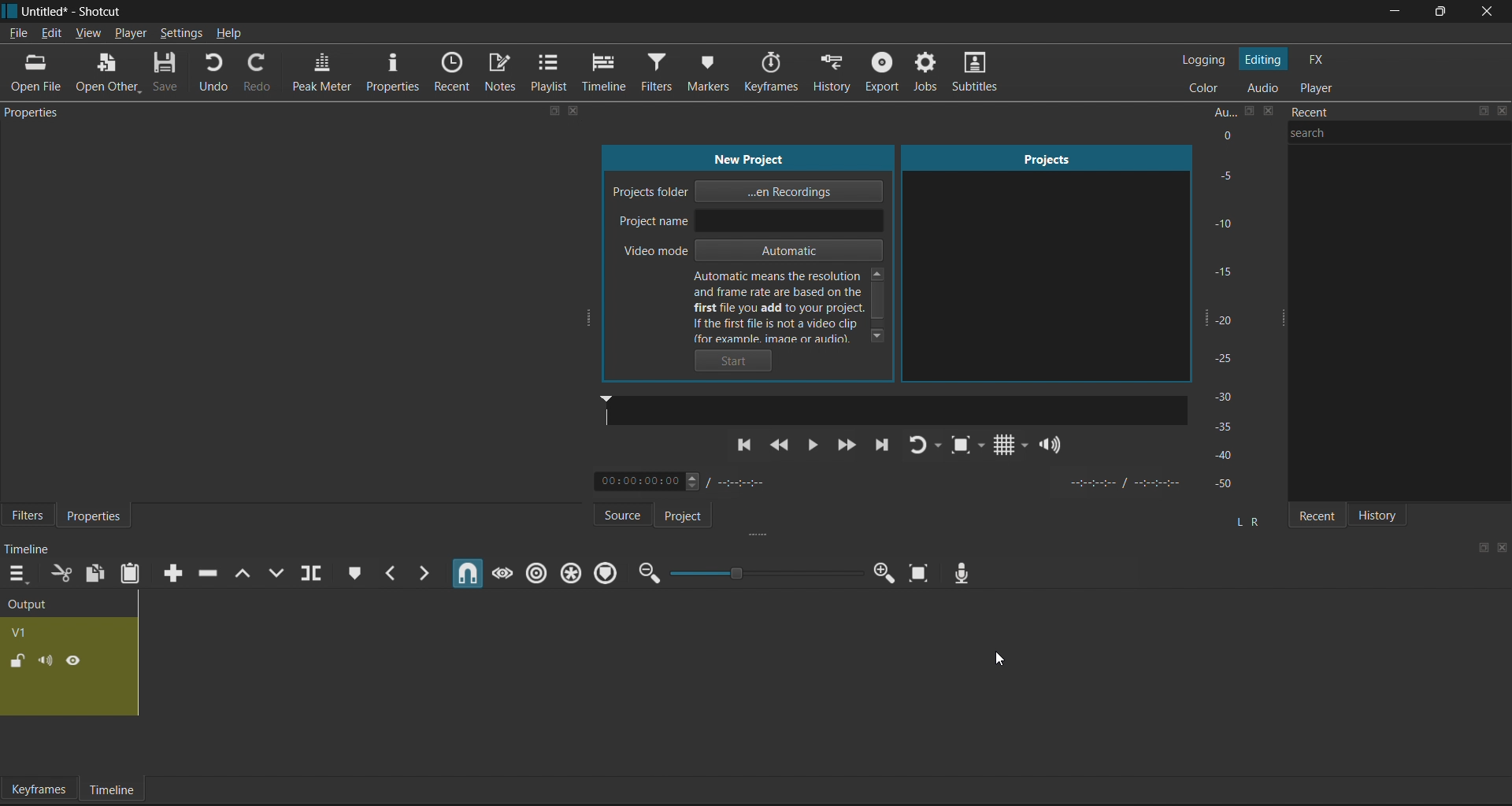 The width and height of the screenshot is (1512, 806). What do you see at coordinates (551, 74) in the screenshot?
I see `Playlist` at bounding box center [551, 74].